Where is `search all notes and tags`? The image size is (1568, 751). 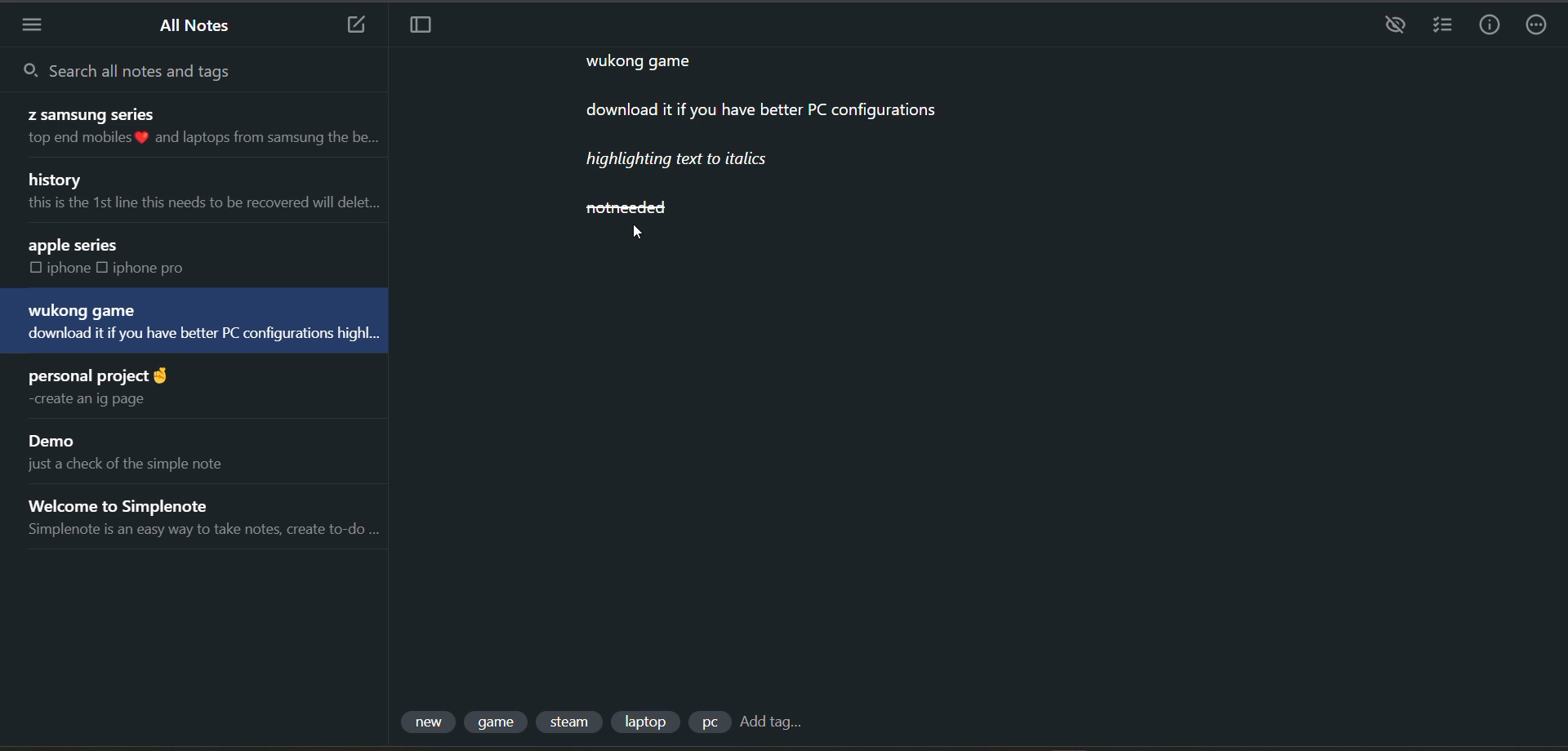 search all notes and tags is located at coordinates (167, 72).